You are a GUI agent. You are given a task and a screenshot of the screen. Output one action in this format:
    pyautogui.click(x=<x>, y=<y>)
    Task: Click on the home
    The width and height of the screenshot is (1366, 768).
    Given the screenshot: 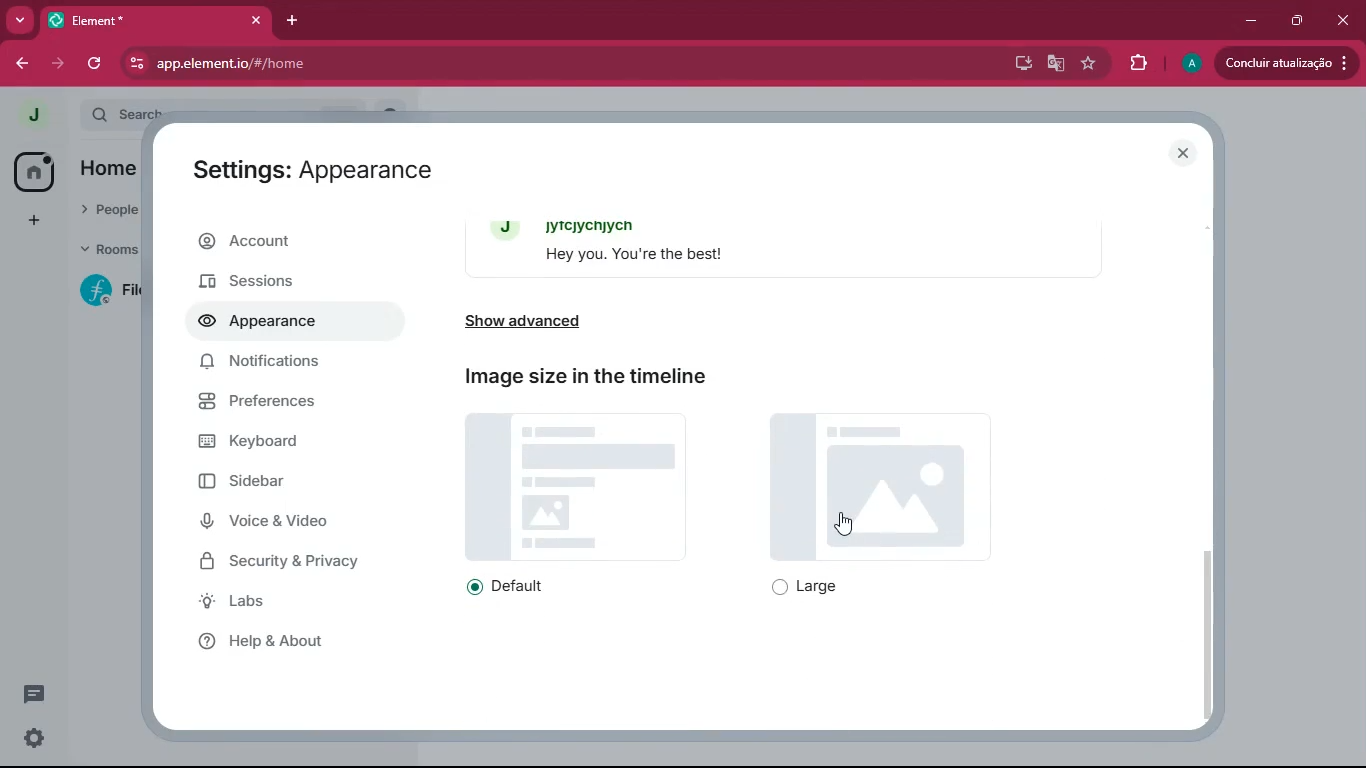 What is the action you would take?
    pyautogui.click(x=27, y=170)
    